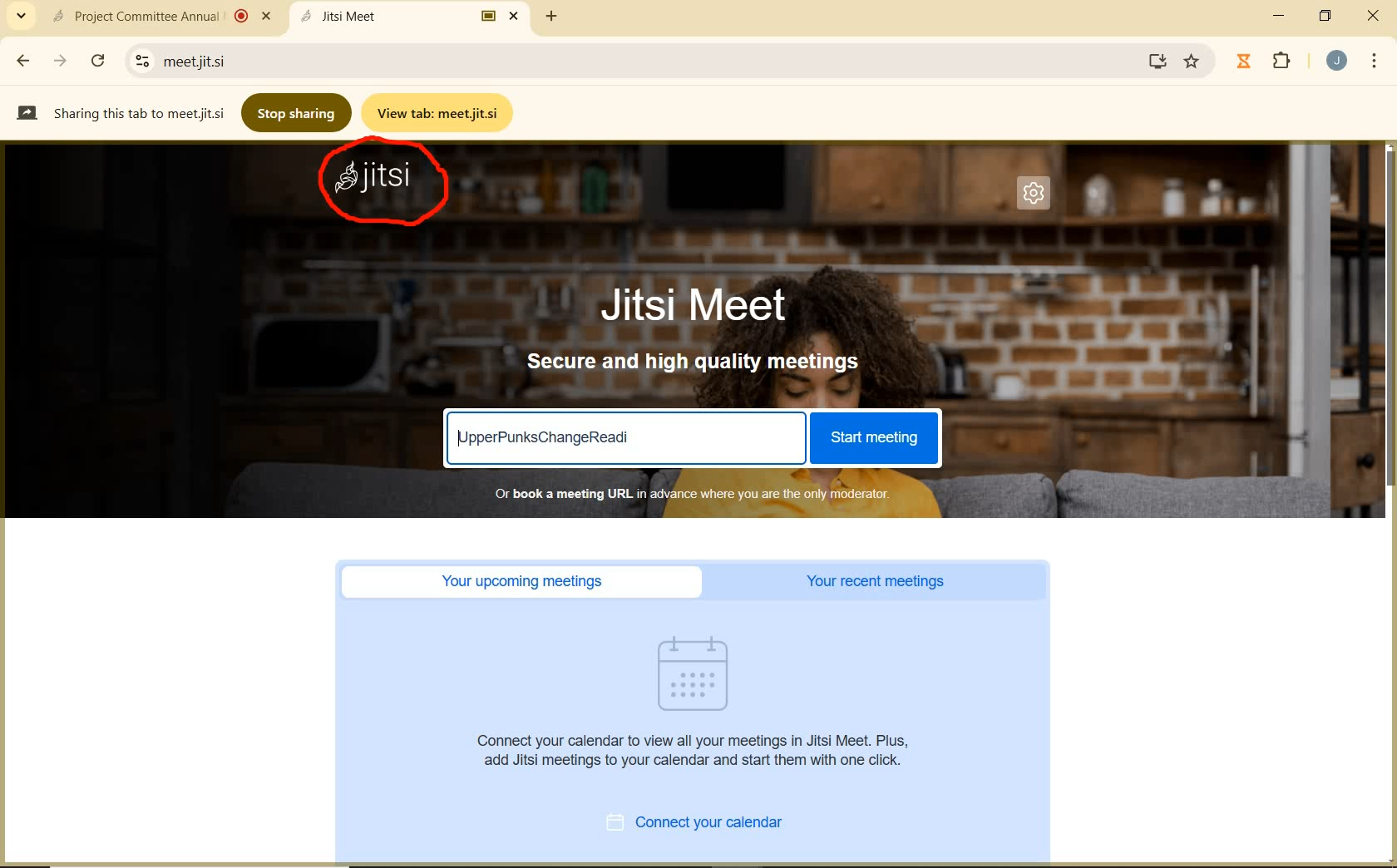  What do you see at coordinates (22, 61) in the screenshot?
I see `BACK` at bounding box center [22, 61].